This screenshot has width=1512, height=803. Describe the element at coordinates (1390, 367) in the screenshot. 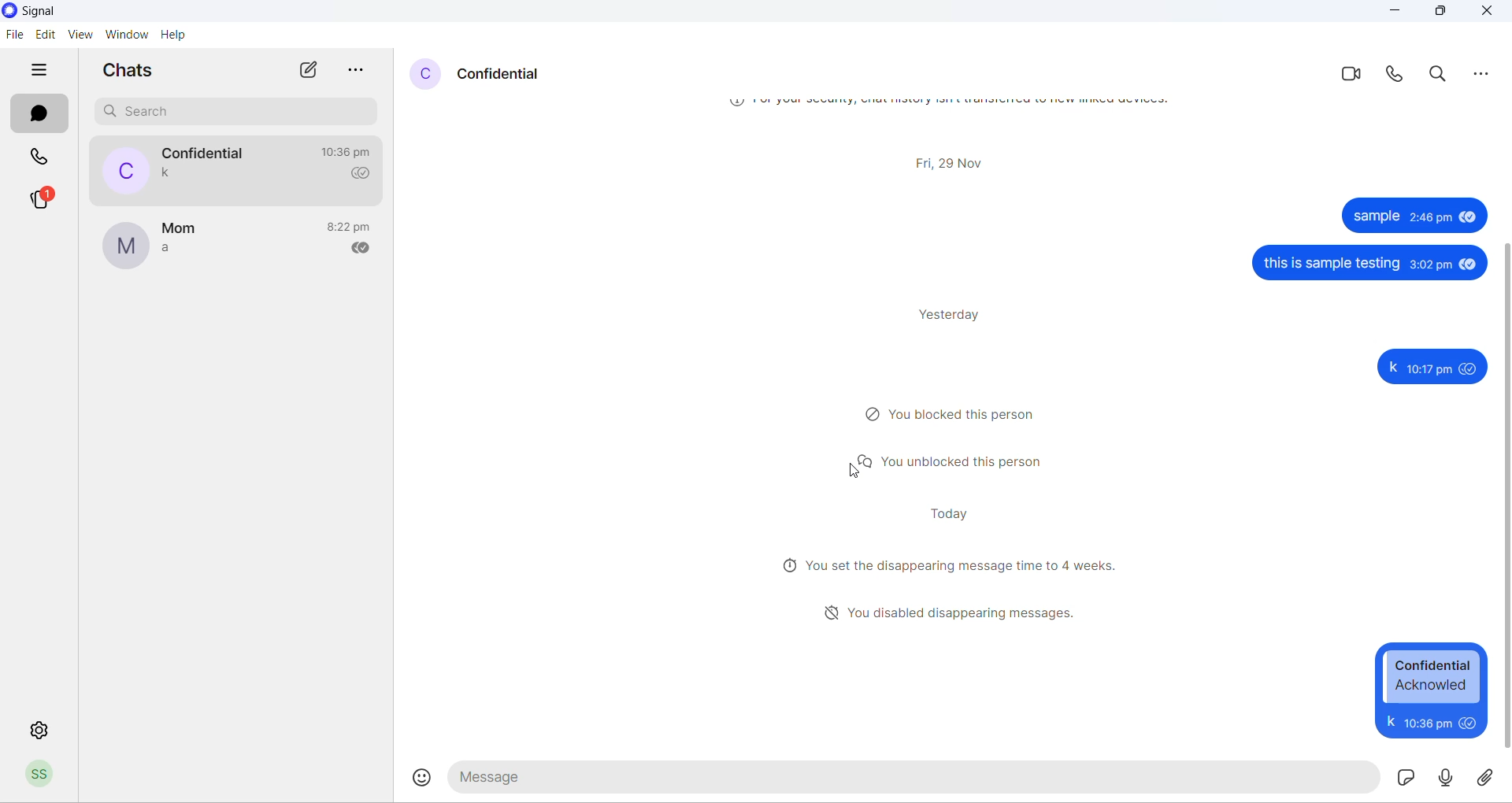

I see `k` at that location.